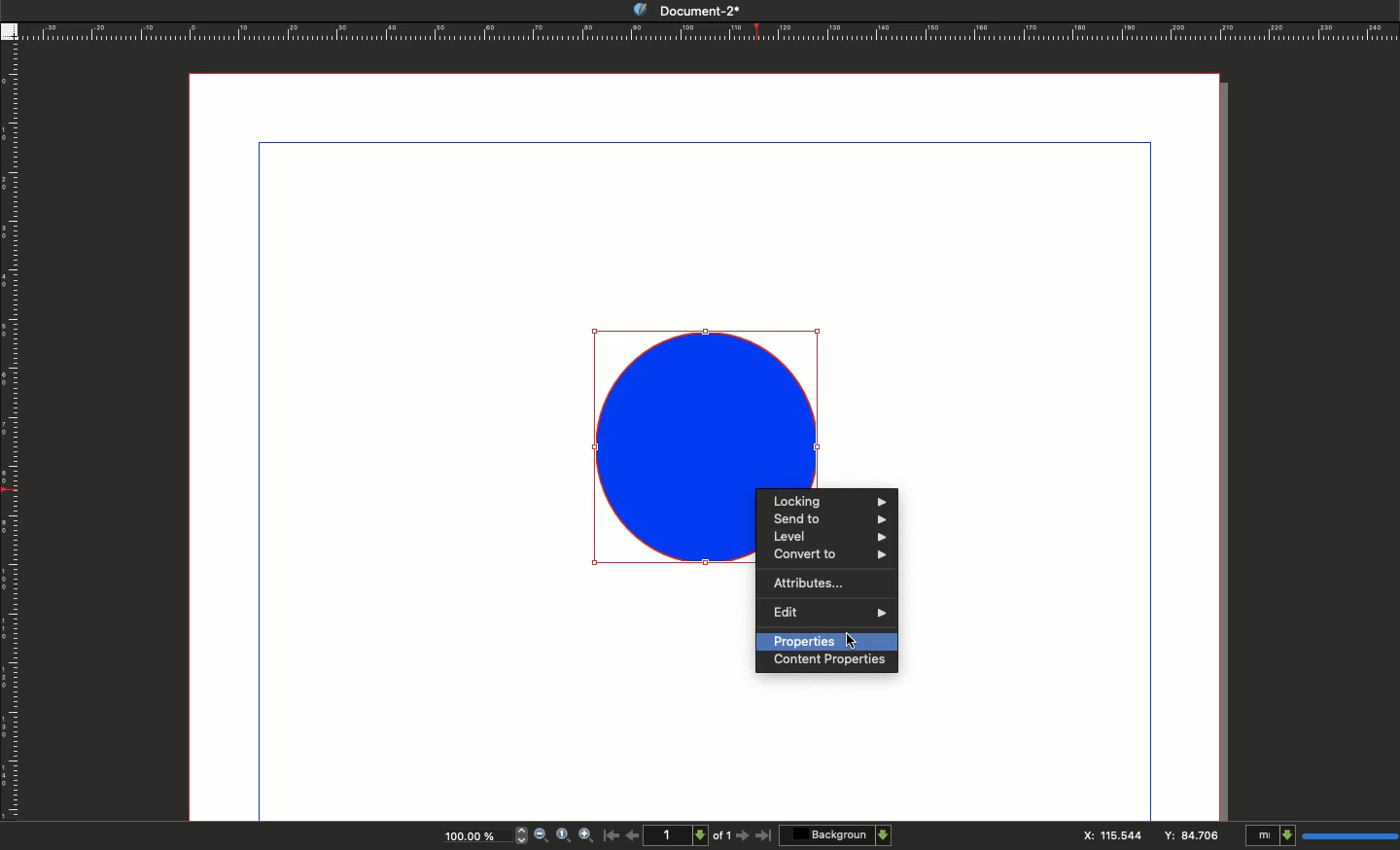 Image resolution: width=1400 pixels, height=850 pixels. What do you see at coordinates (468, 838) in the screenshot?
I see `100.00%` at bounding box center [468, 838].